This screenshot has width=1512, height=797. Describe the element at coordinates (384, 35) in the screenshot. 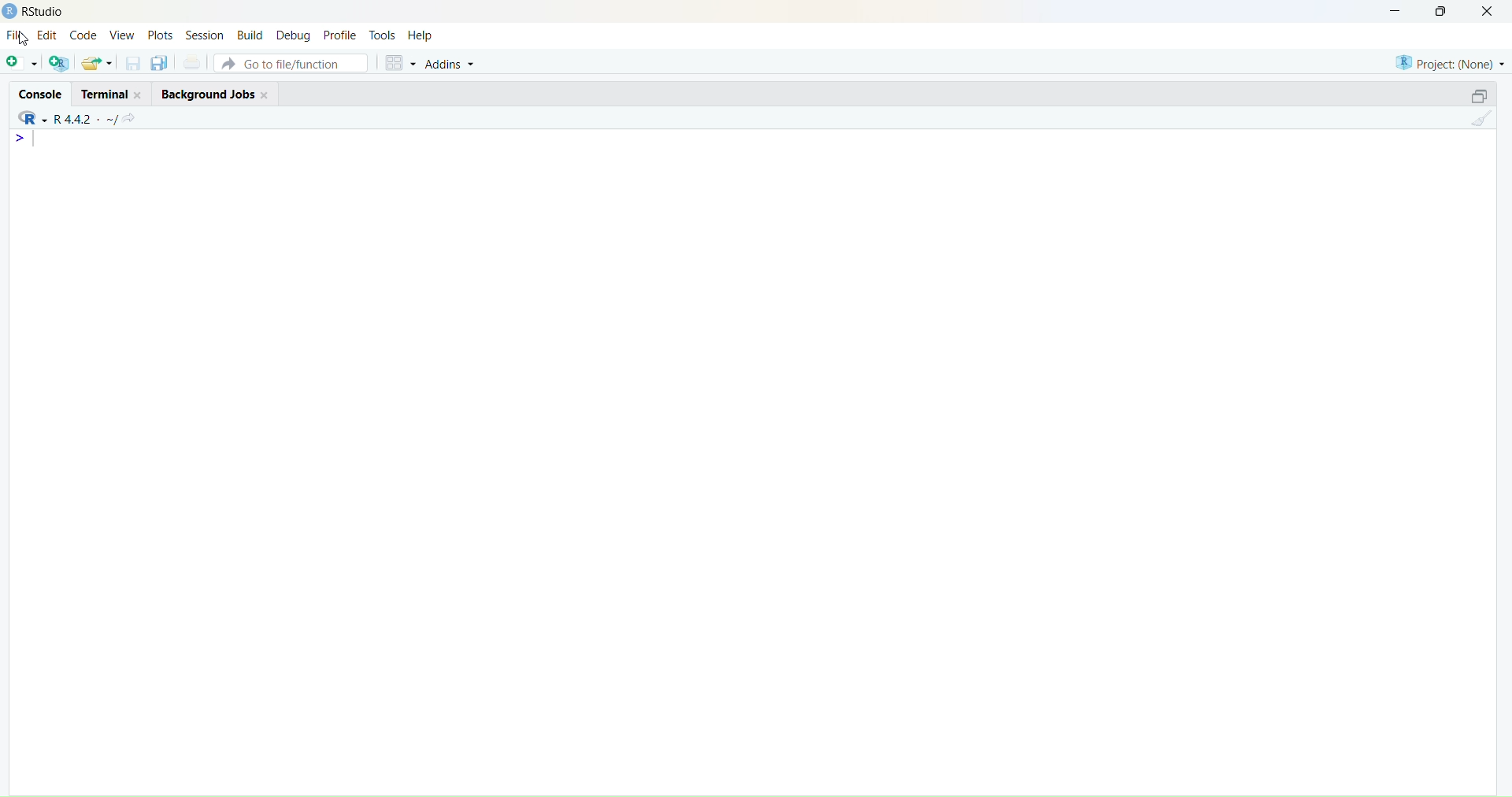

I see `Tools` at that location.